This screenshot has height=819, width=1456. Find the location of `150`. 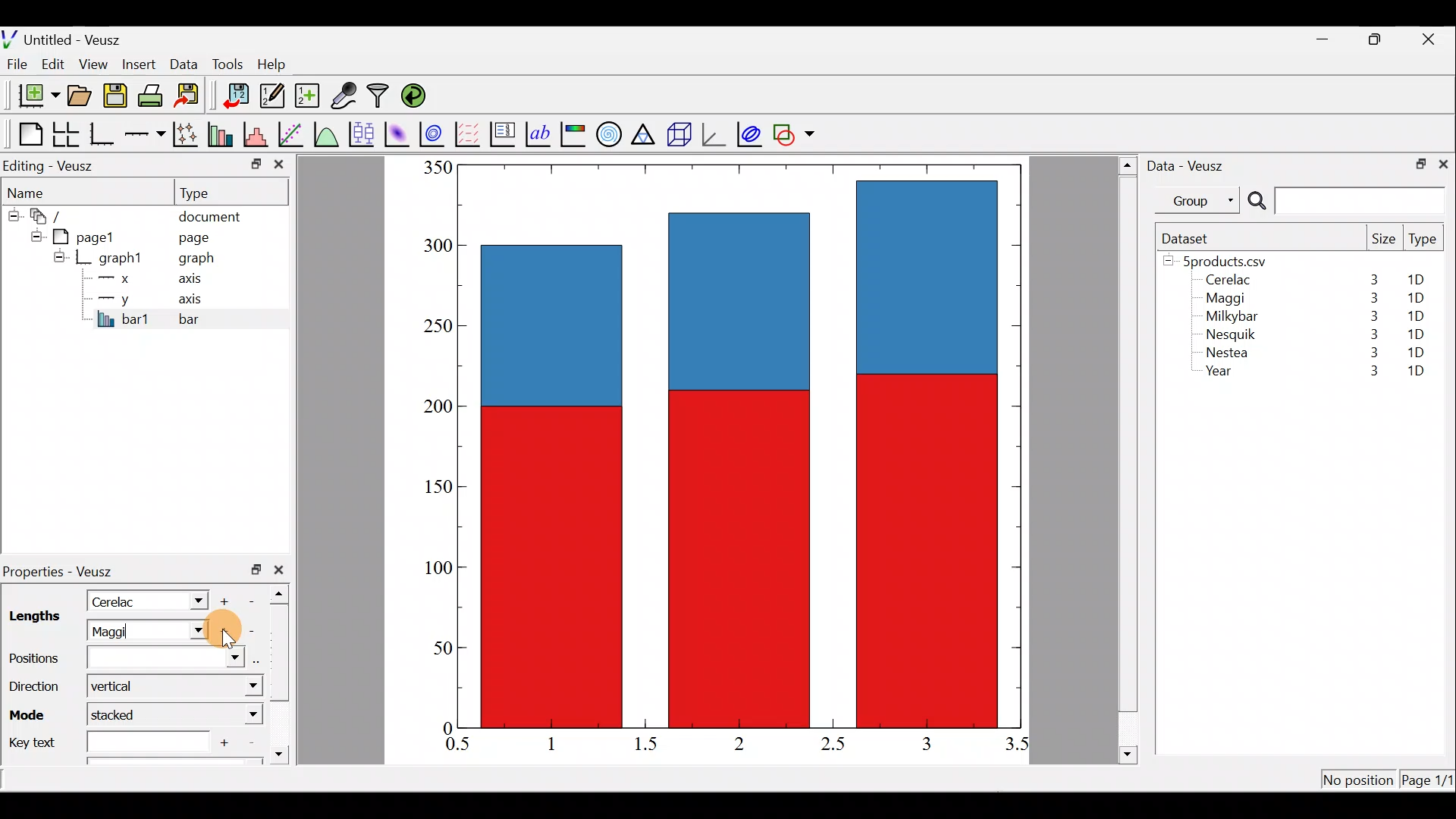

150 is located at coordinates (438, 490).